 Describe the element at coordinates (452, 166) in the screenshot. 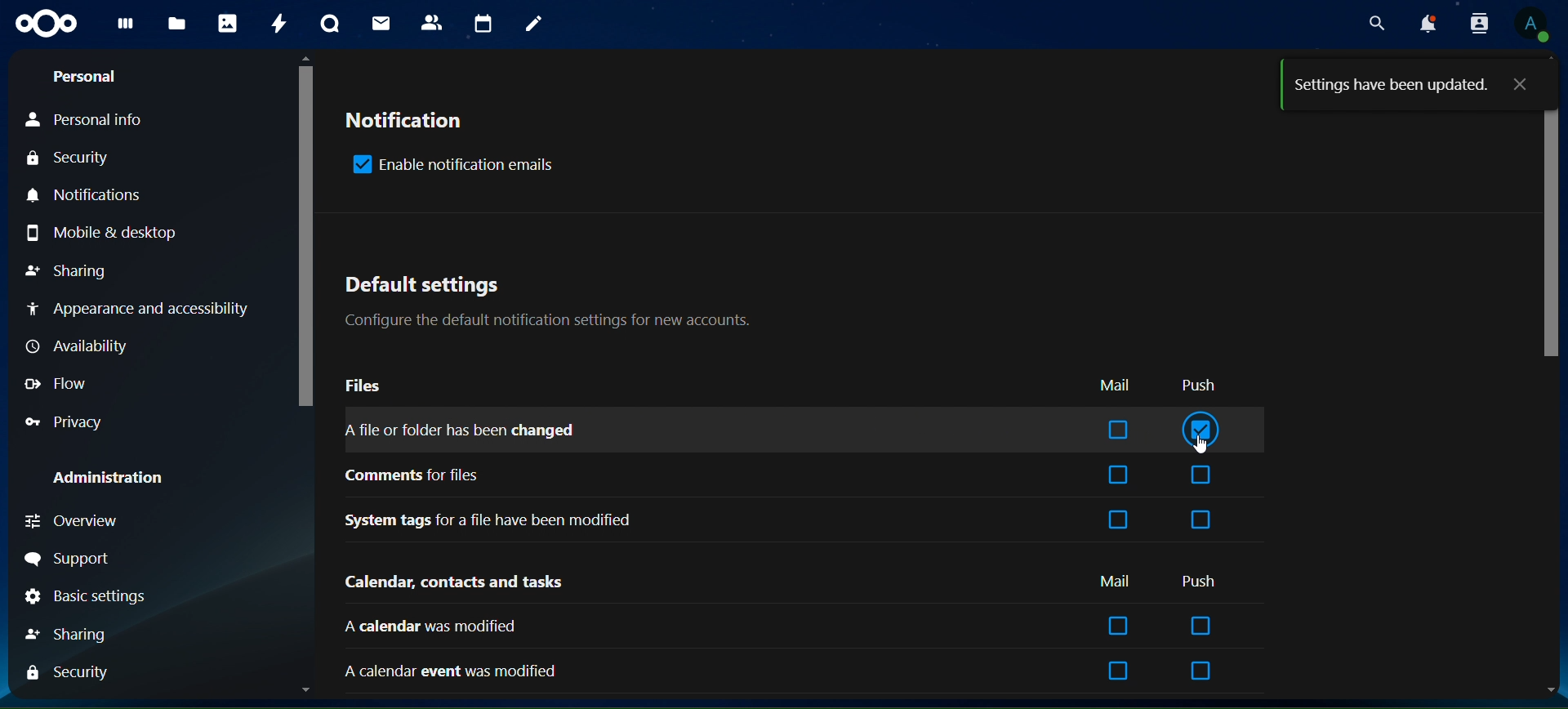

I see `enable notification emails` at that location.